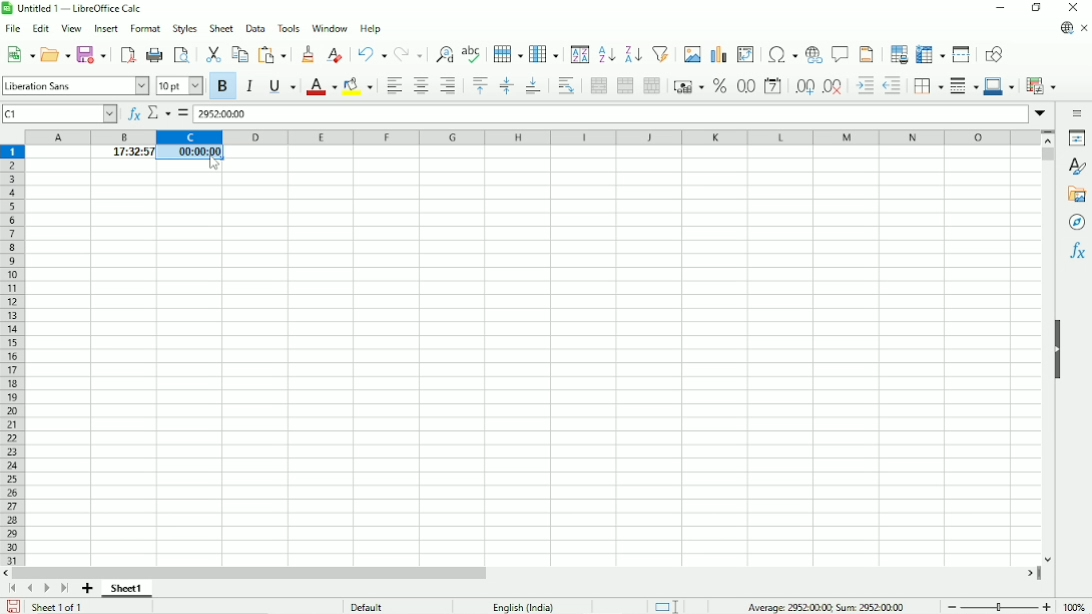 The height and width of the screenshot is (614, 1092). I want to click on Edit, so click(39, 30).